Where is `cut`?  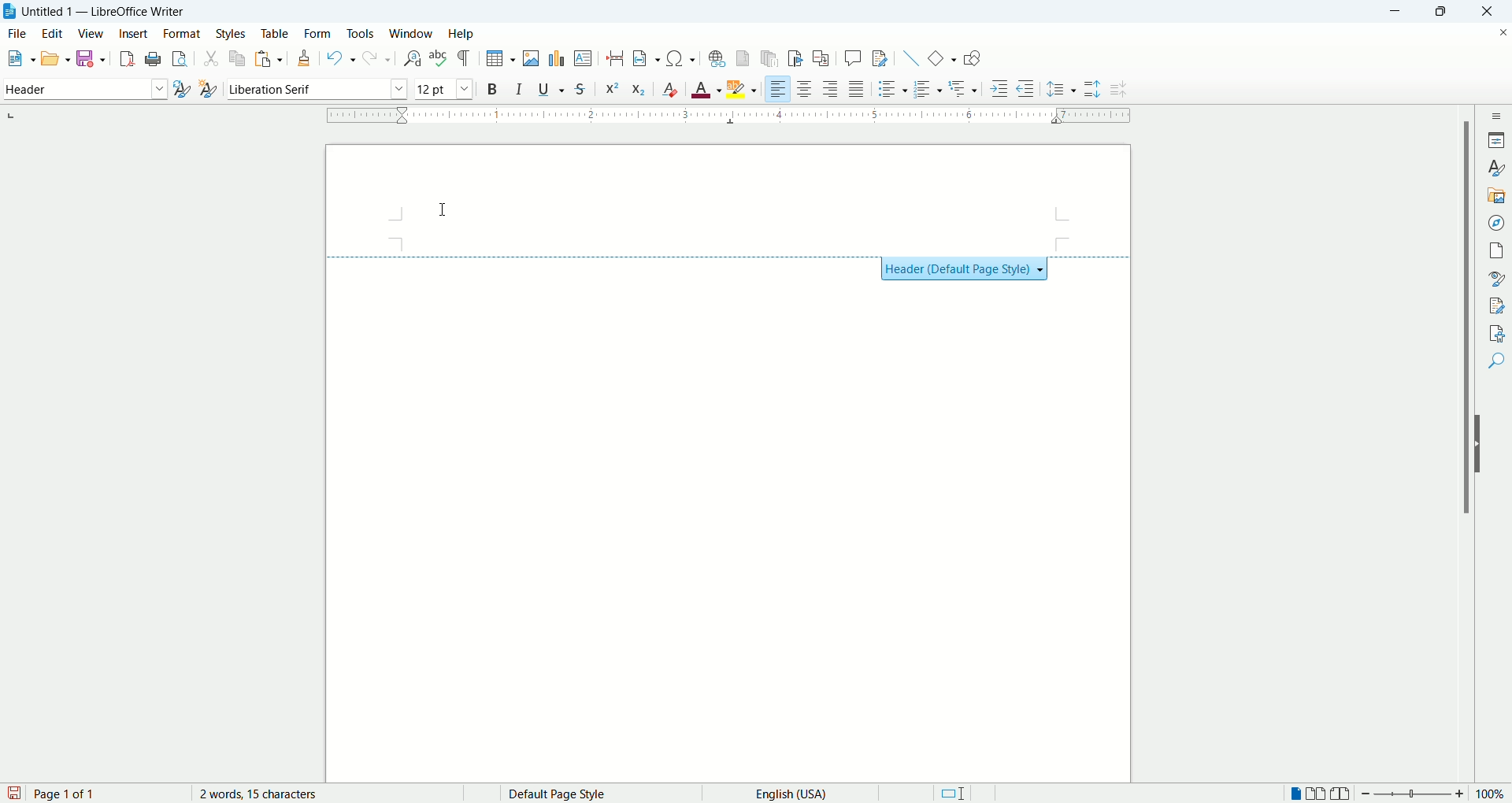 cut is located at coordinates (214, 58).